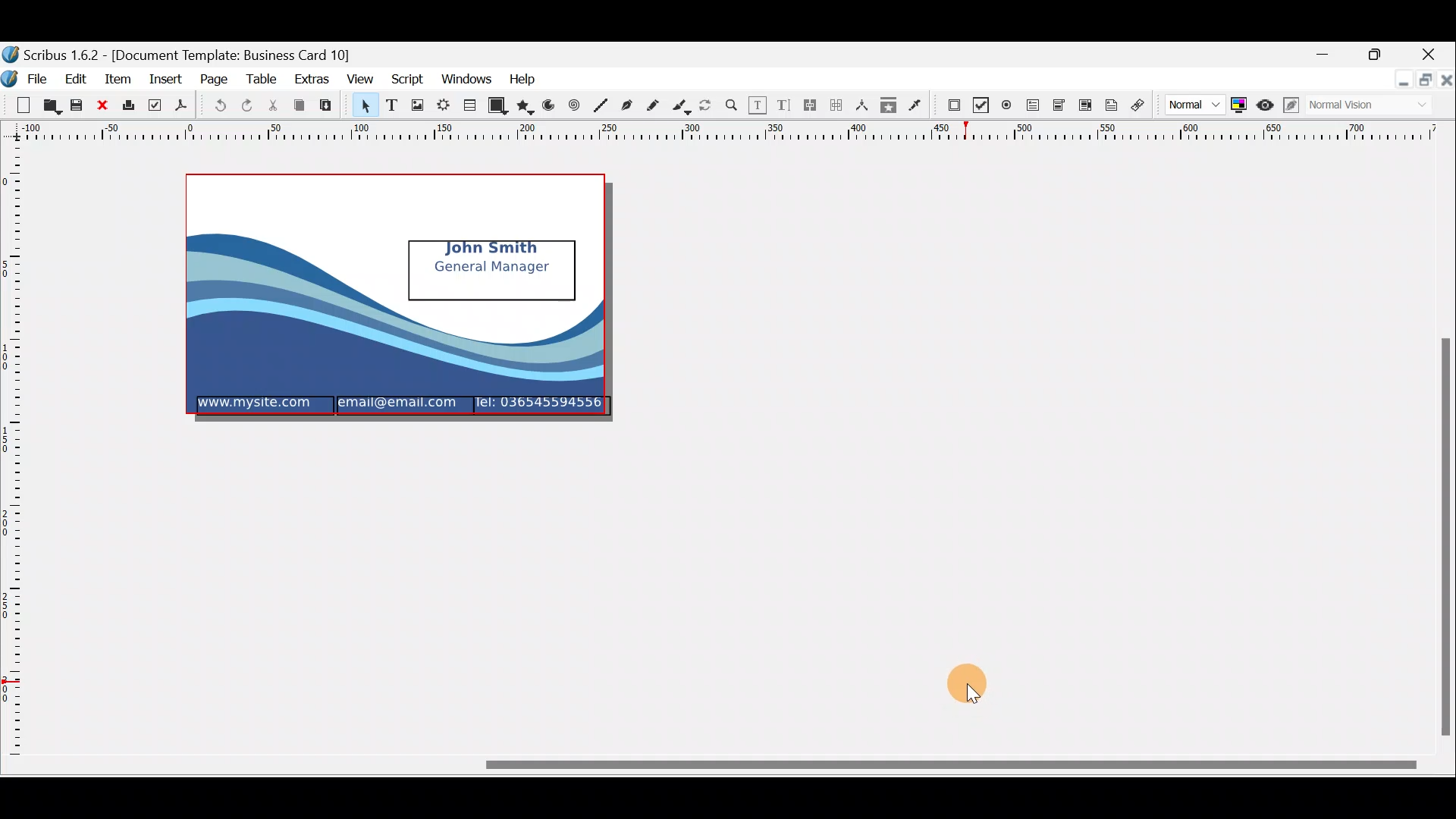  I want to click on Close, so click(1436, 52).